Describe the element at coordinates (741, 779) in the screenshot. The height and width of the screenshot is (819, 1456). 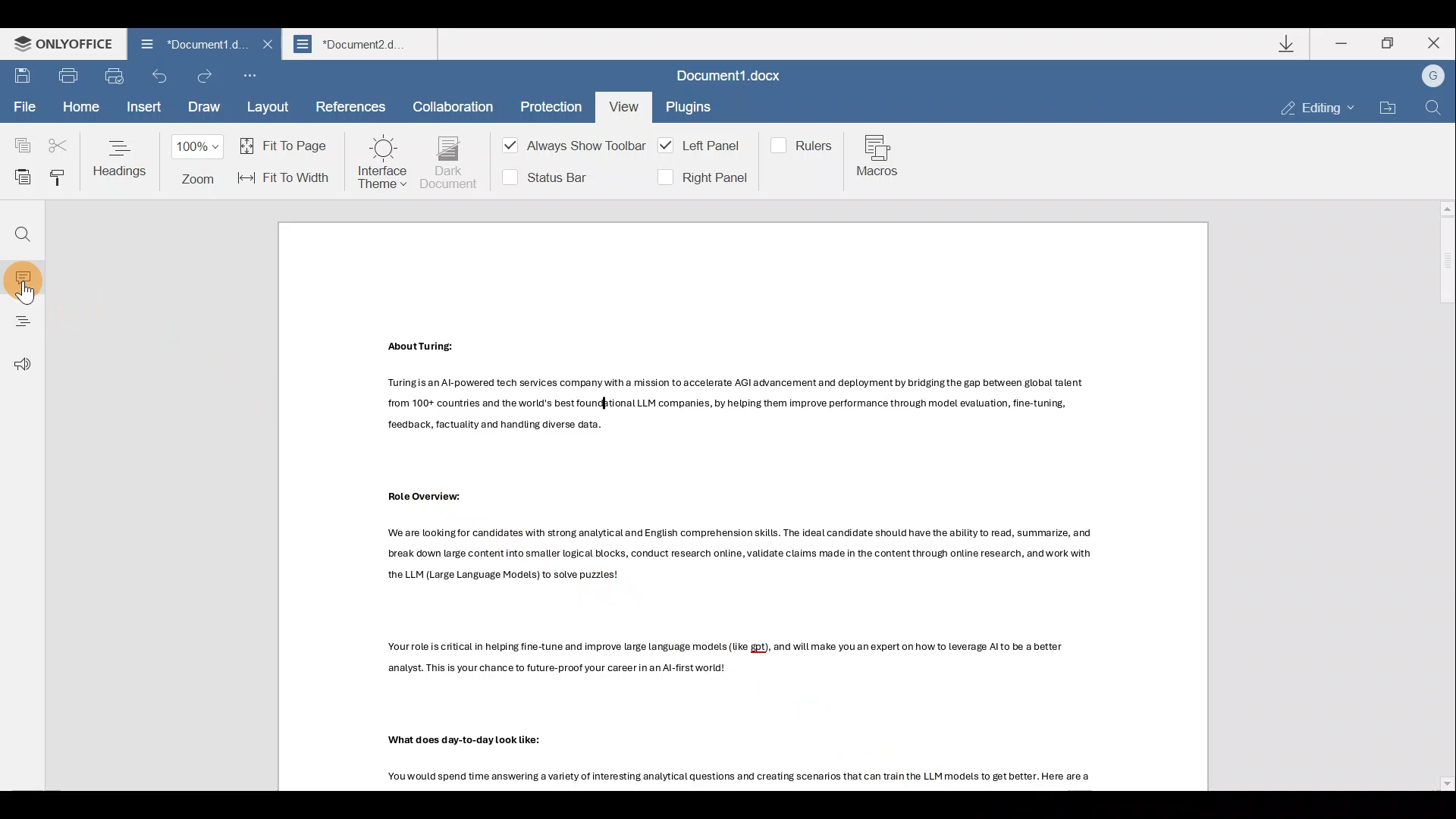
I see `` at that location.